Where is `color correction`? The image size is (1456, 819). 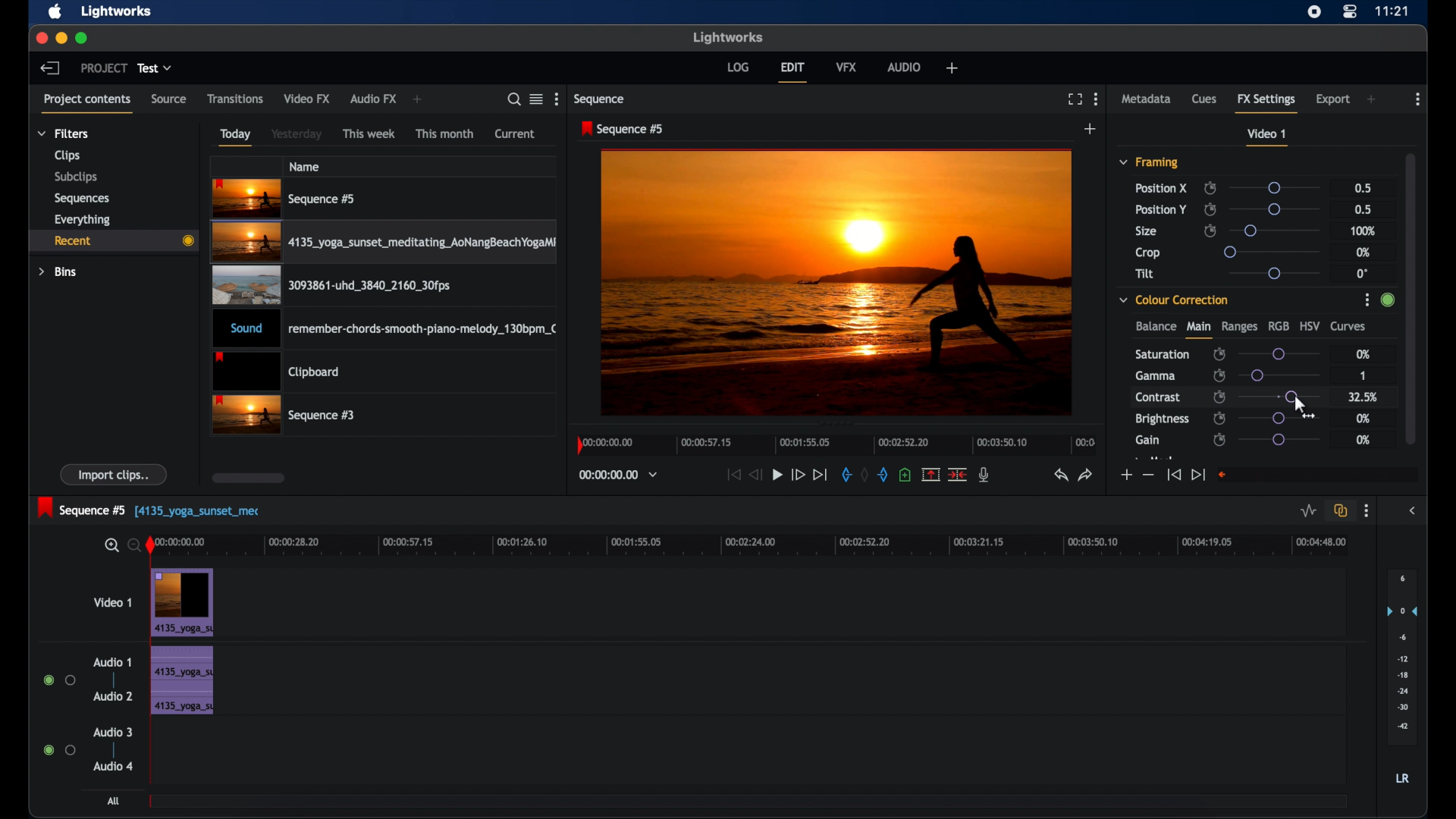 color correction is located at coordinates (1174, 300).